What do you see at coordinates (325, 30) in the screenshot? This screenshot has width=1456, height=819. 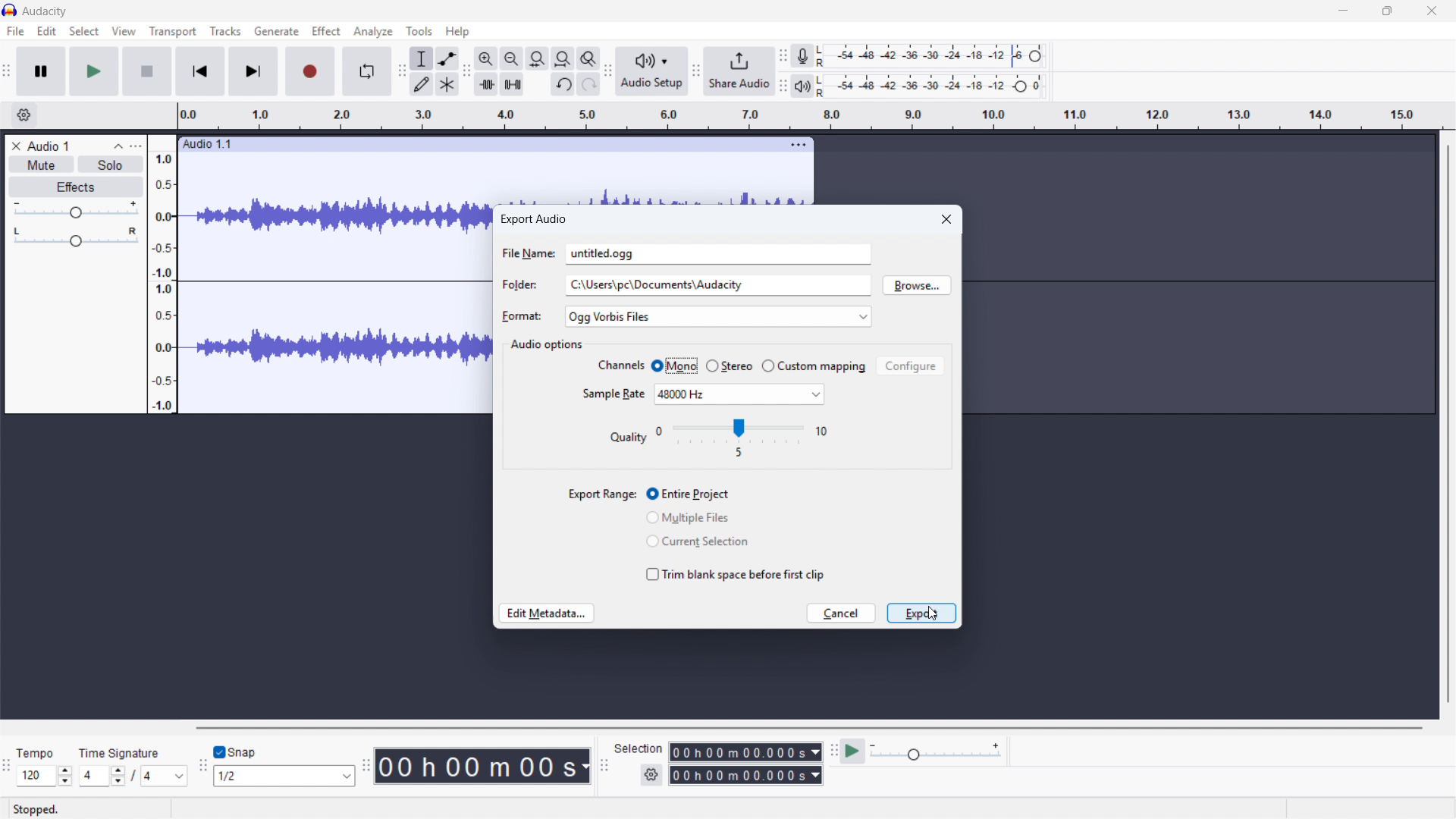 I see `Effect ` at bounding box center [325, 30].